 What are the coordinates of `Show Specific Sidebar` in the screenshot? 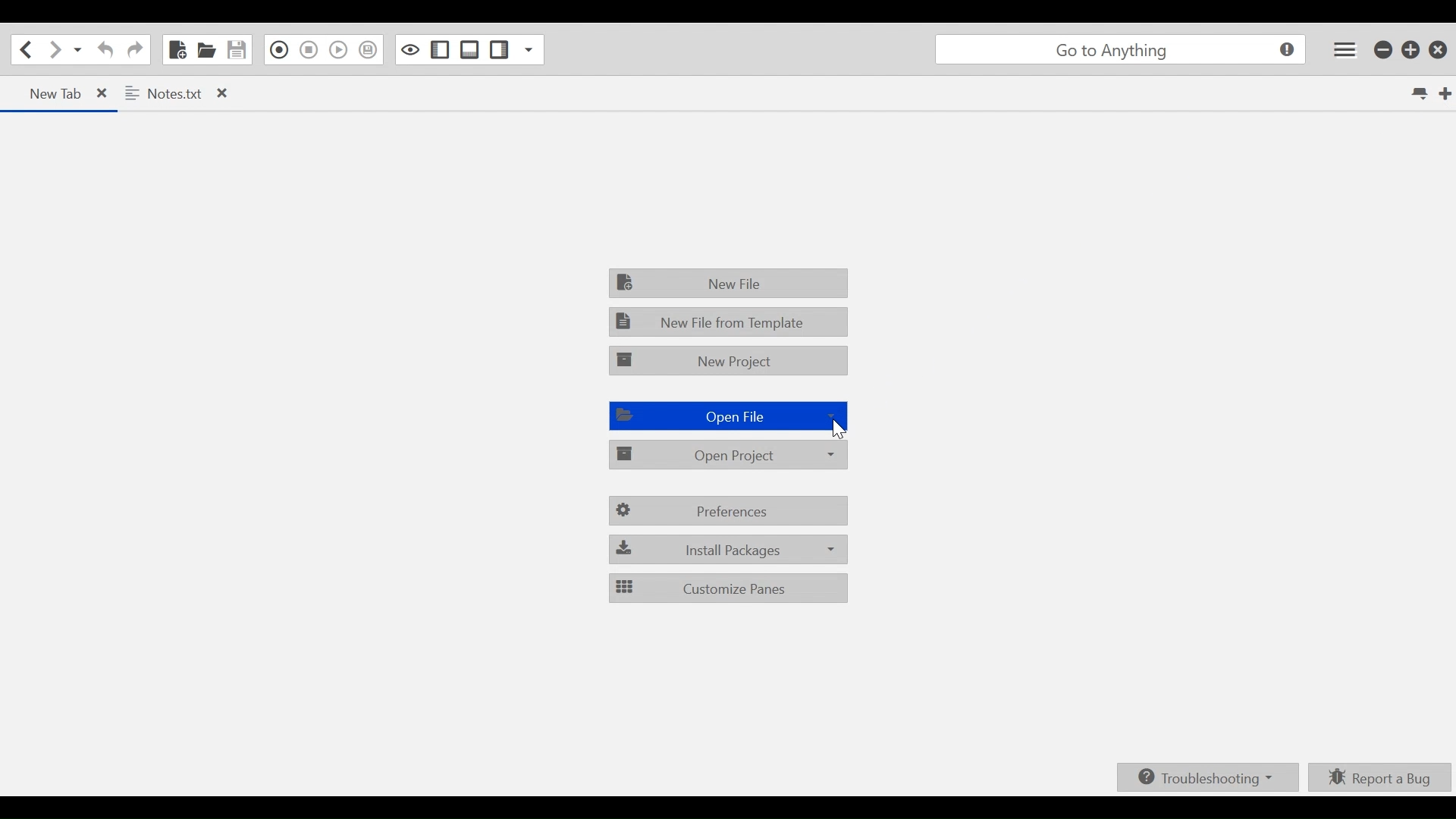 It's located at (535, 49).